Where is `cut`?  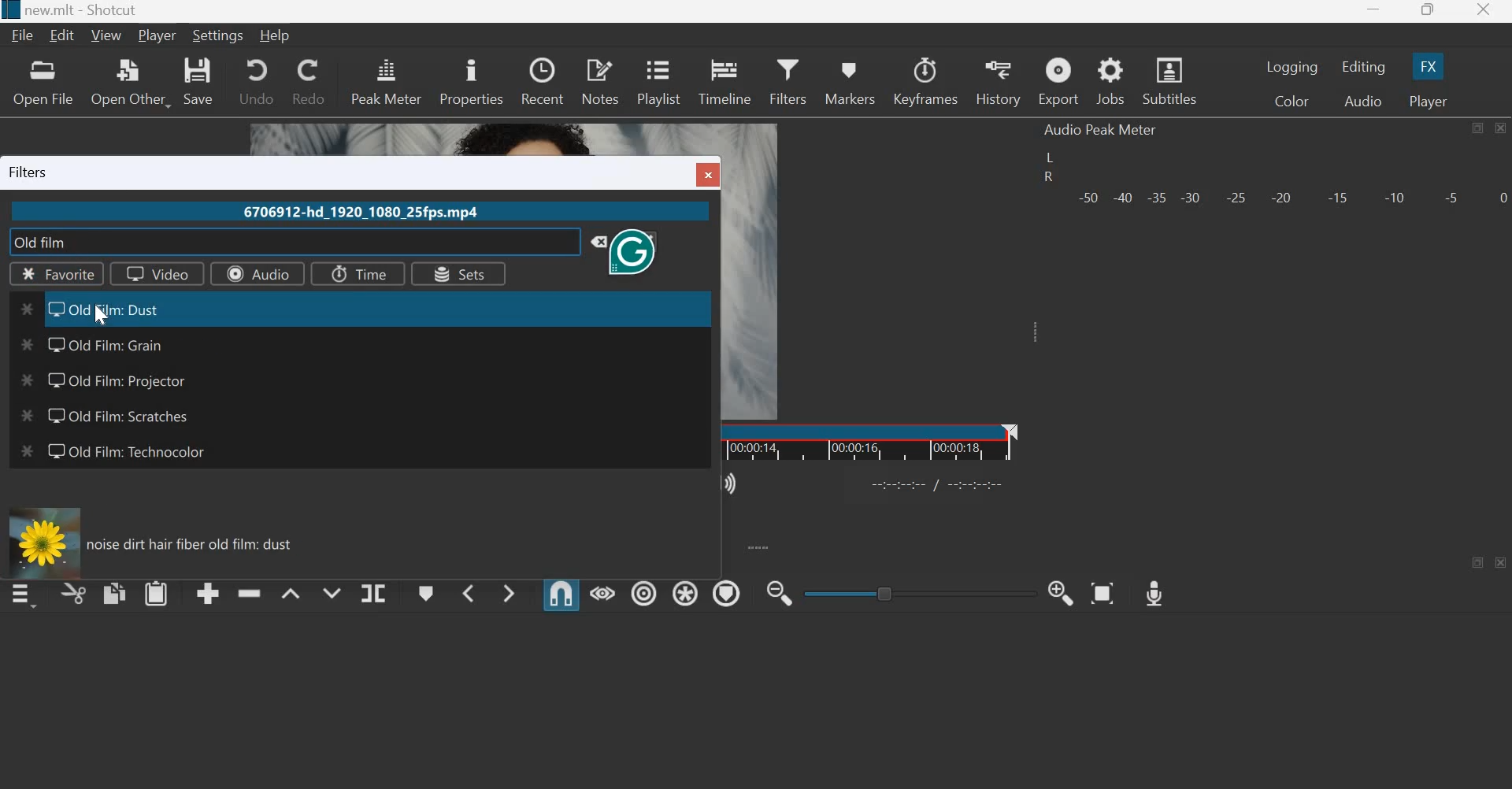 cut is located at coordinates (74, 595).